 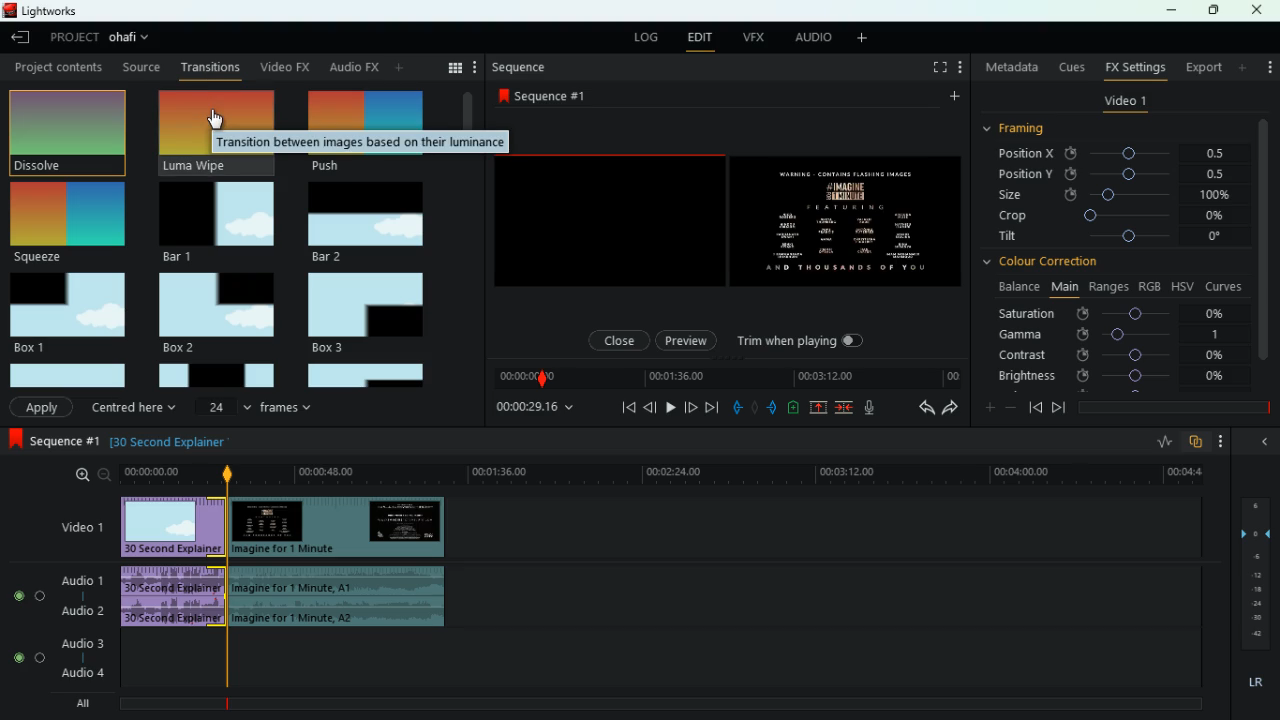 What do you see at coordinates (1215, 10) in the screenshot?
I see `maximize` at bounding box center [1215, 10].